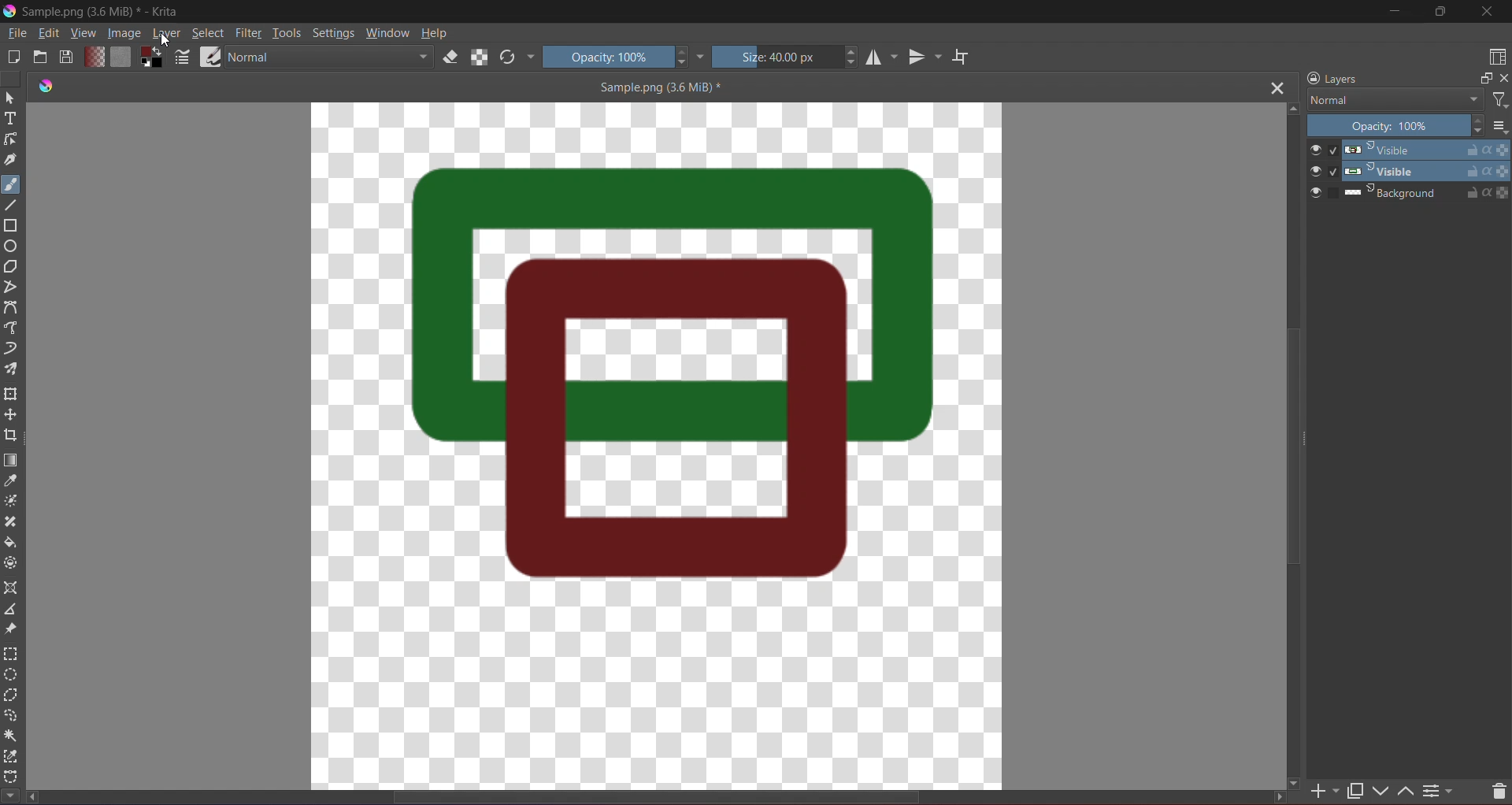  I want to click on Scroll up, so click(1291, 108).